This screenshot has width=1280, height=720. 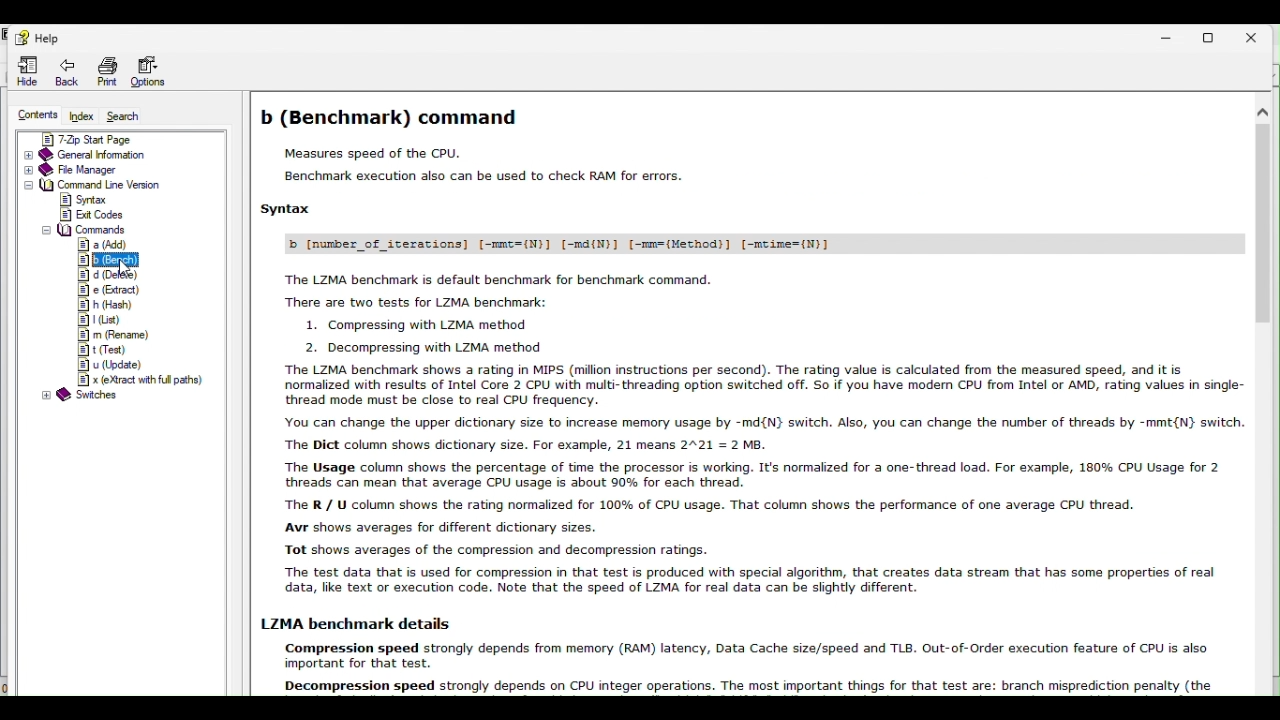 I want to click on Command line version, so click(x=97, y=182).